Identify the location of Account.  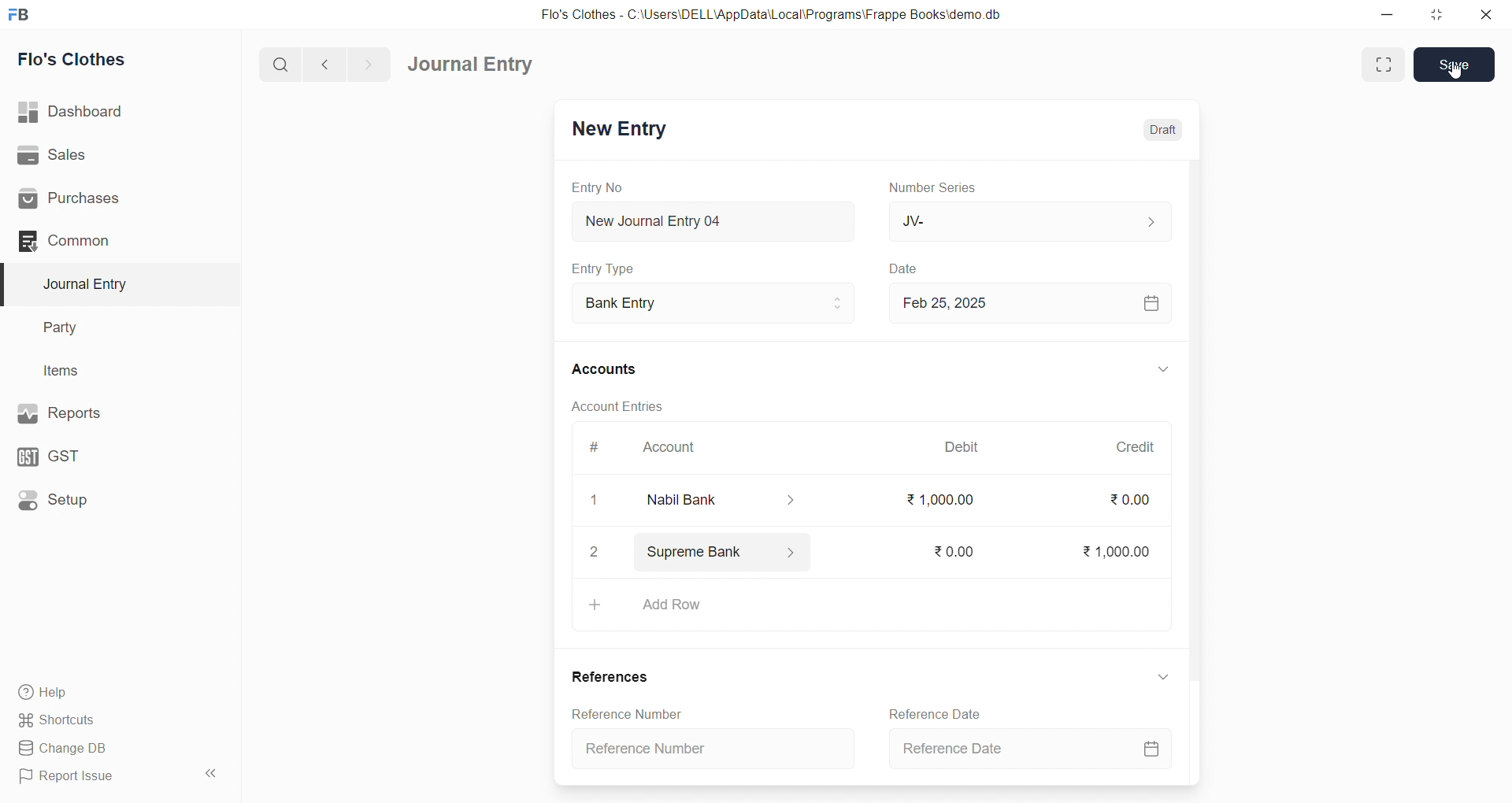
(665, 450).